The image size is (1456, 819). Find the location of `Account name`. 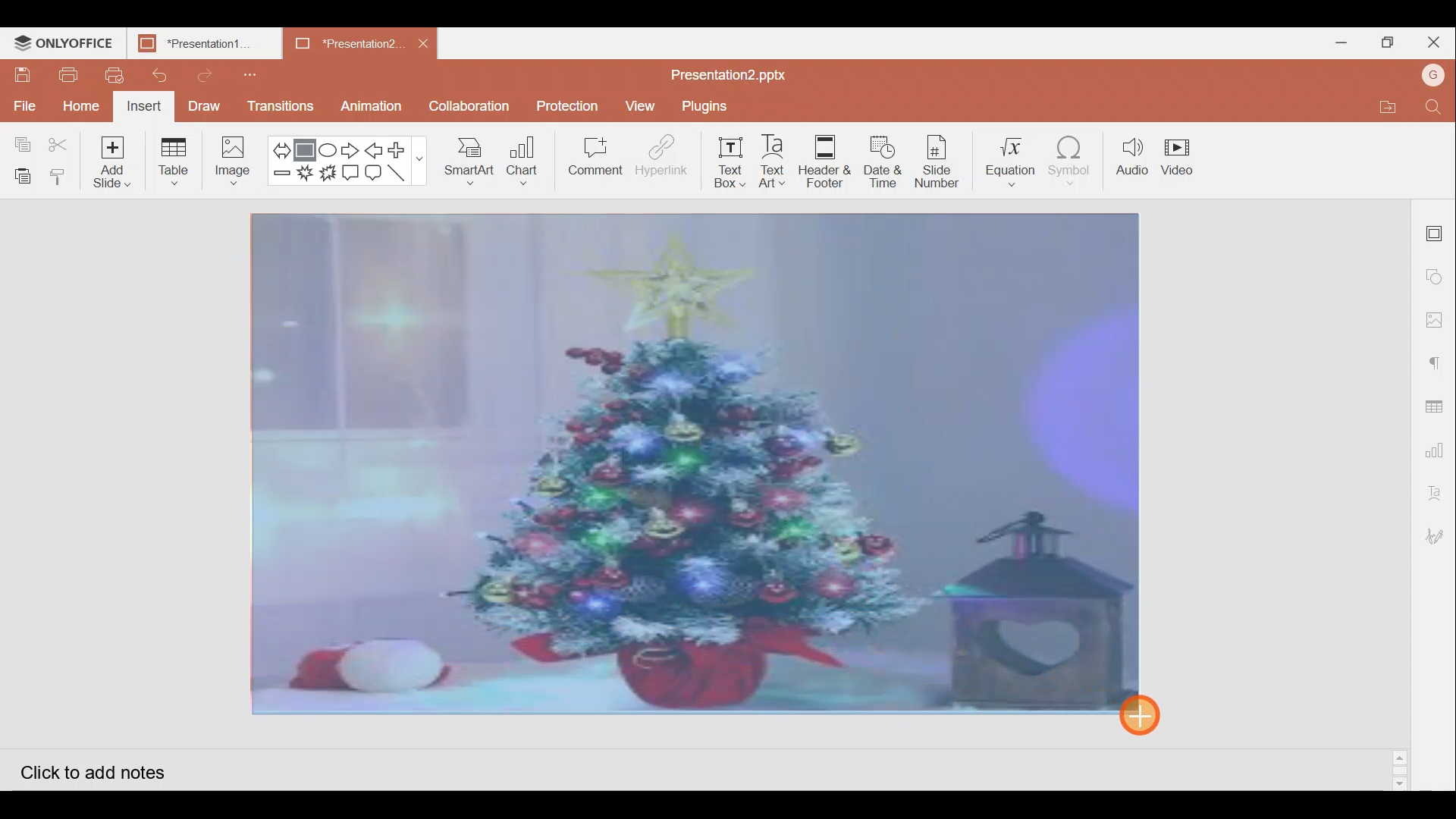

Account name is located at coordinates (1435, 75).